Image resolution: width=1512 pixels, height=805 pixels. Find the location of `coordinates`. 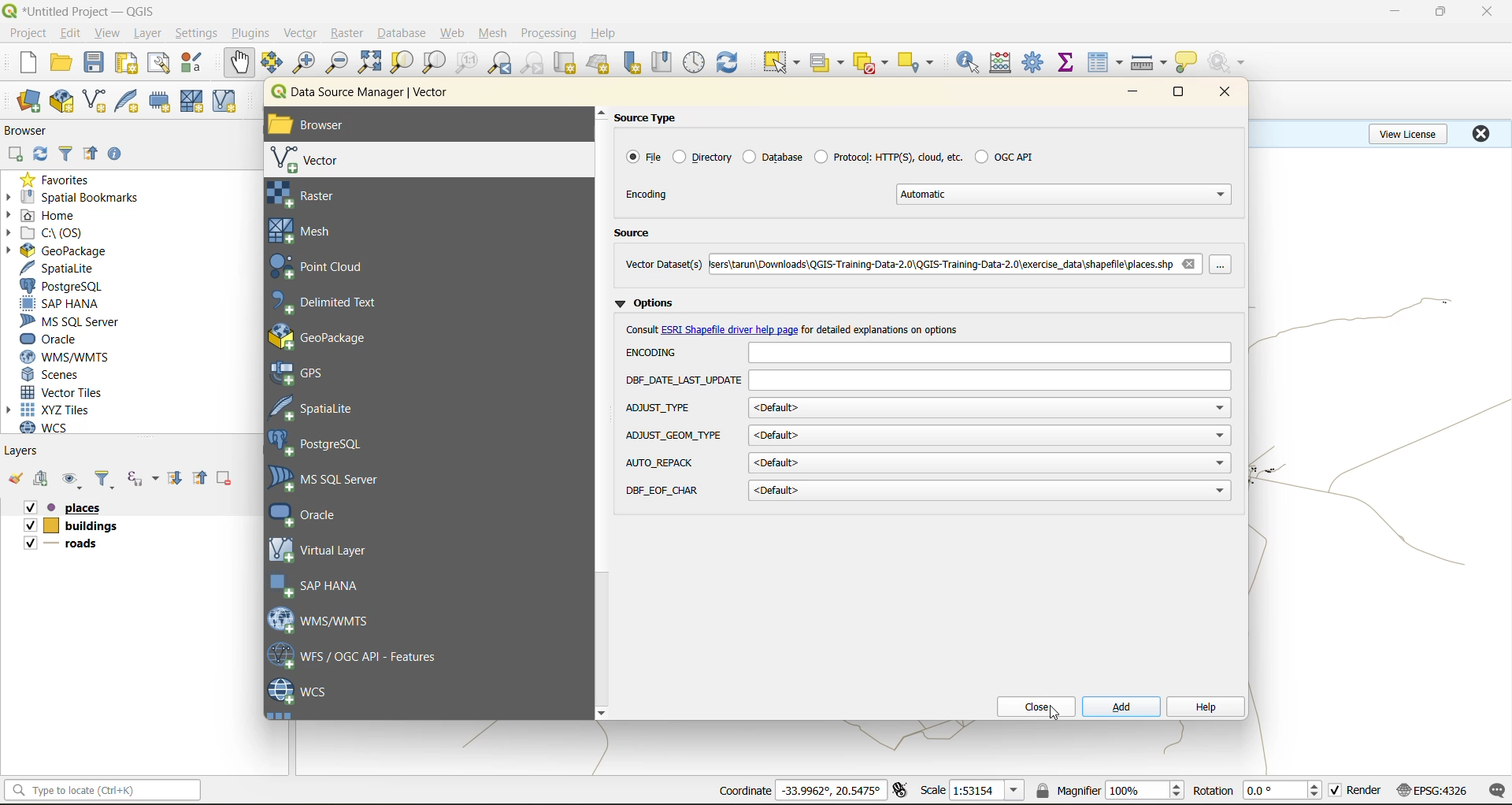

coordinates is located at coordinates (744, 791).